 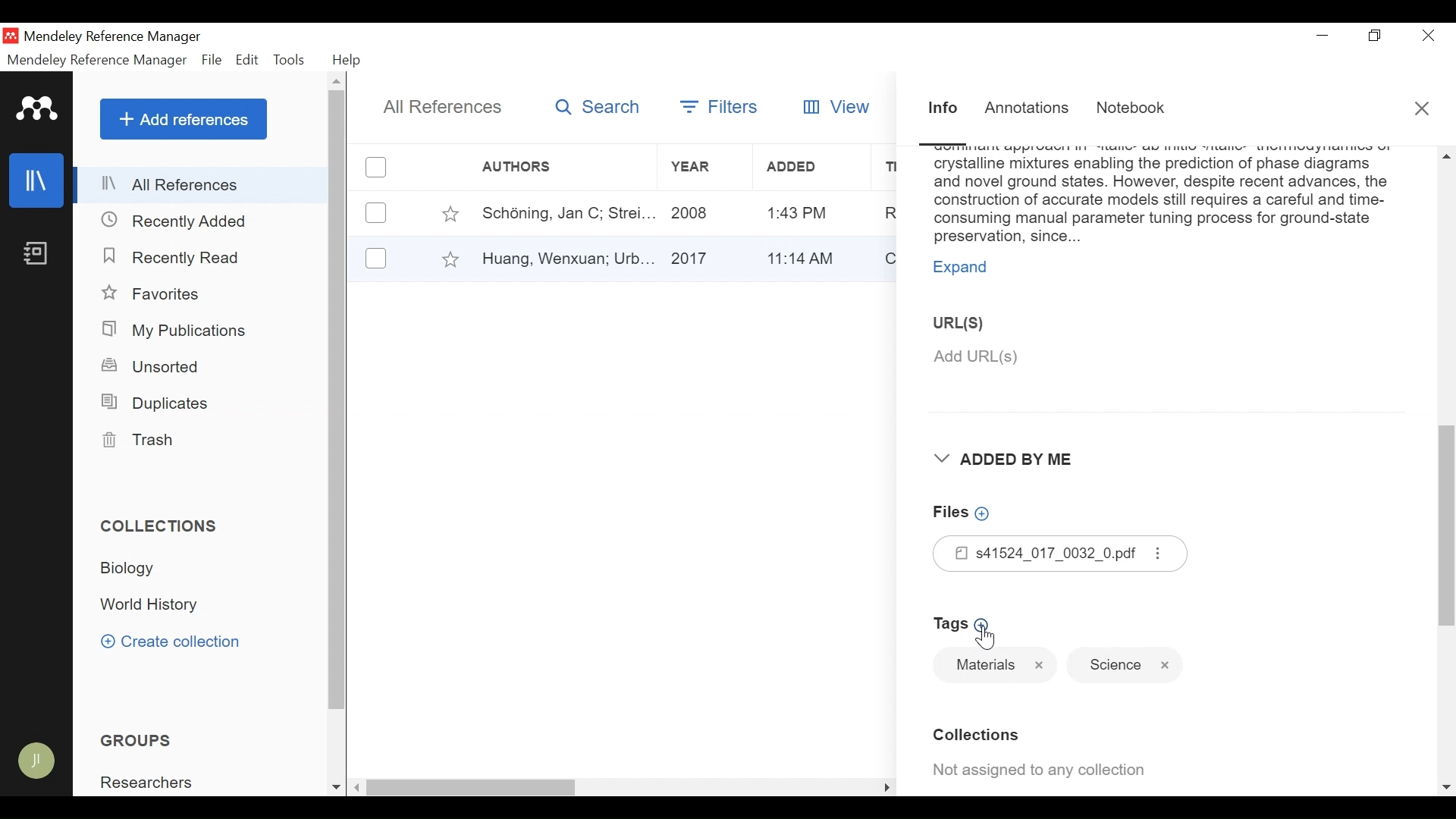 I want to click on Duplicates, so click(x=153, y=403).